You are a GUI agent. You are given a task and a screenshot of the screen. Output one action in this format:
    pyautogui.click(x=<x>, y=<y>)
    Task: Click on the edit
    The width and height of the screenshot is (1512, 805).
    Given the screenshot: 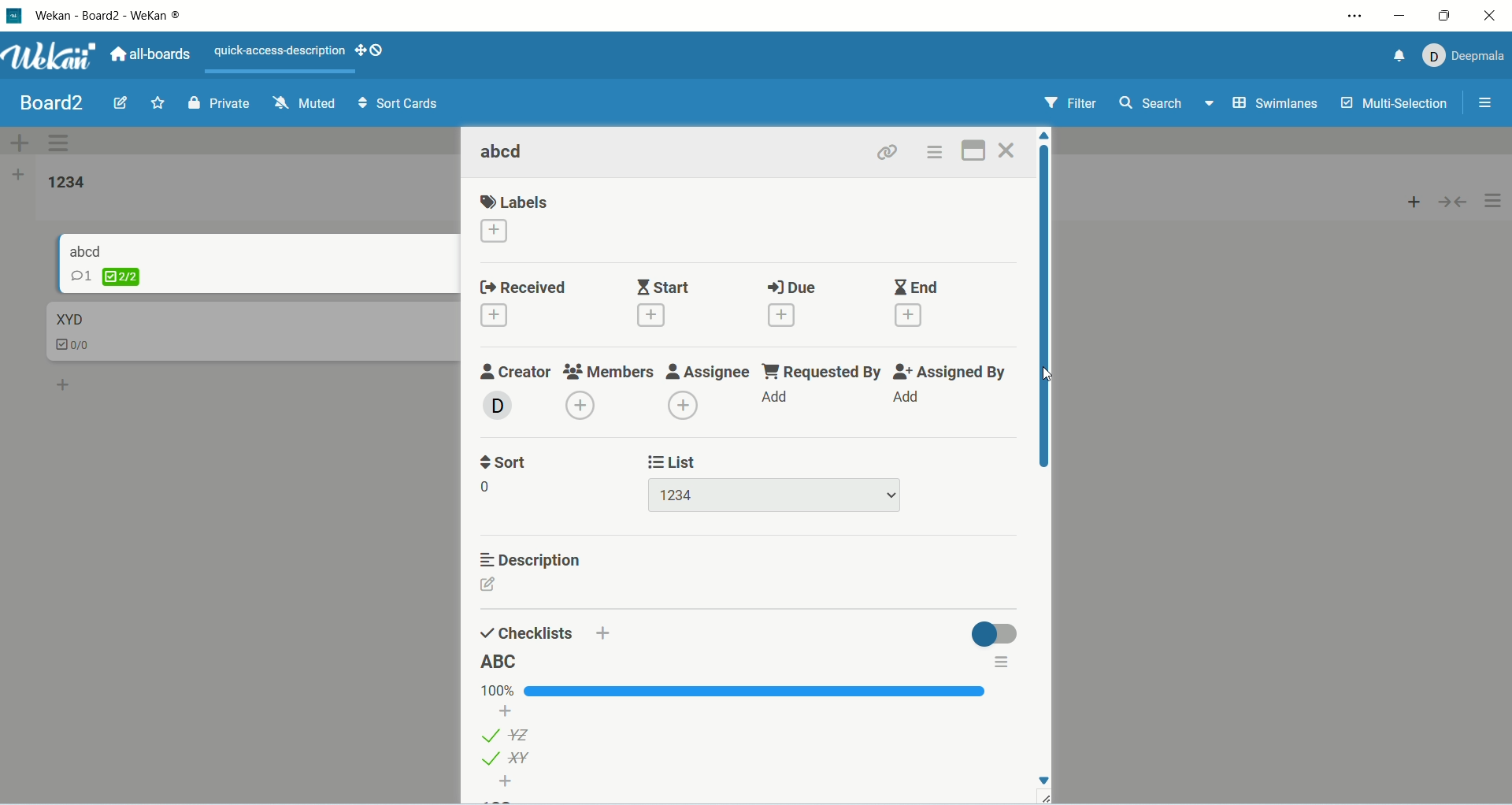 What is the action you would take?
    pyautogui.click(x=494, y=586)
    